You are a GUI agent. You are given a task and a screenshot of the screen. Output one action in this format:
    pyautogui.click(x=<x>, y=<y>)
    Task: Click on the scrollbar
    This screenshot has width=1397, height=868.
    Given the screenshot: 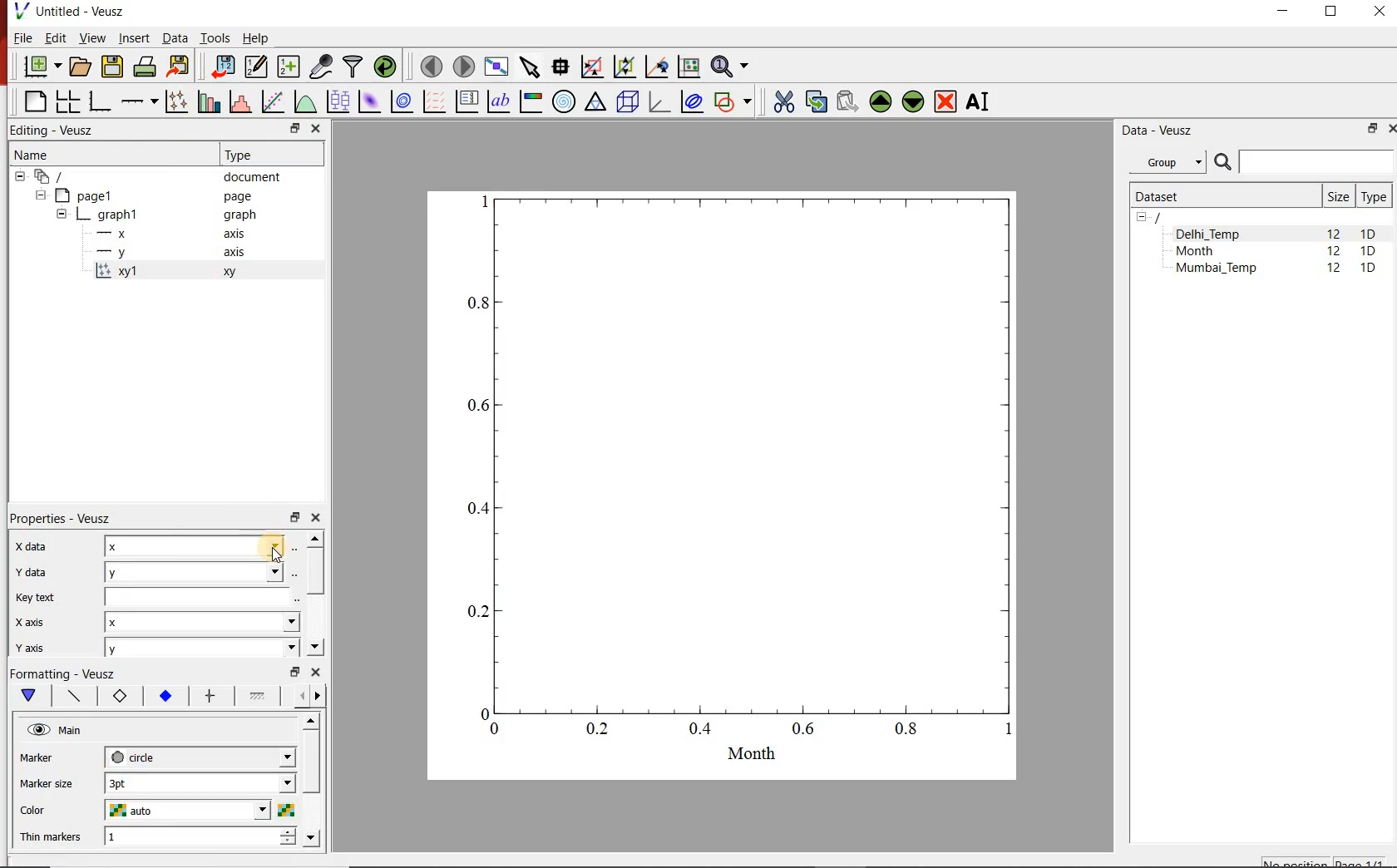 What is the action you would take?
    pyautogui.click(x=314, y=594)
    